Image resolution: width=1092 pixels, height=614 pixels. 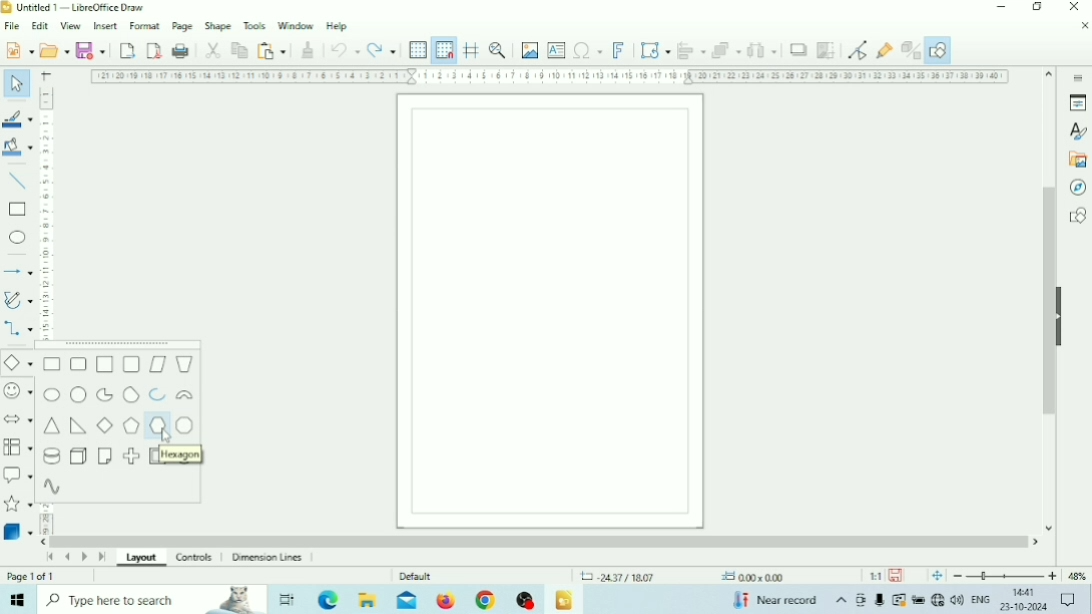 What do you see at coordinates (185, 397) in the screenshot?
I see `Block Arc` at bounding box center [185, 397].